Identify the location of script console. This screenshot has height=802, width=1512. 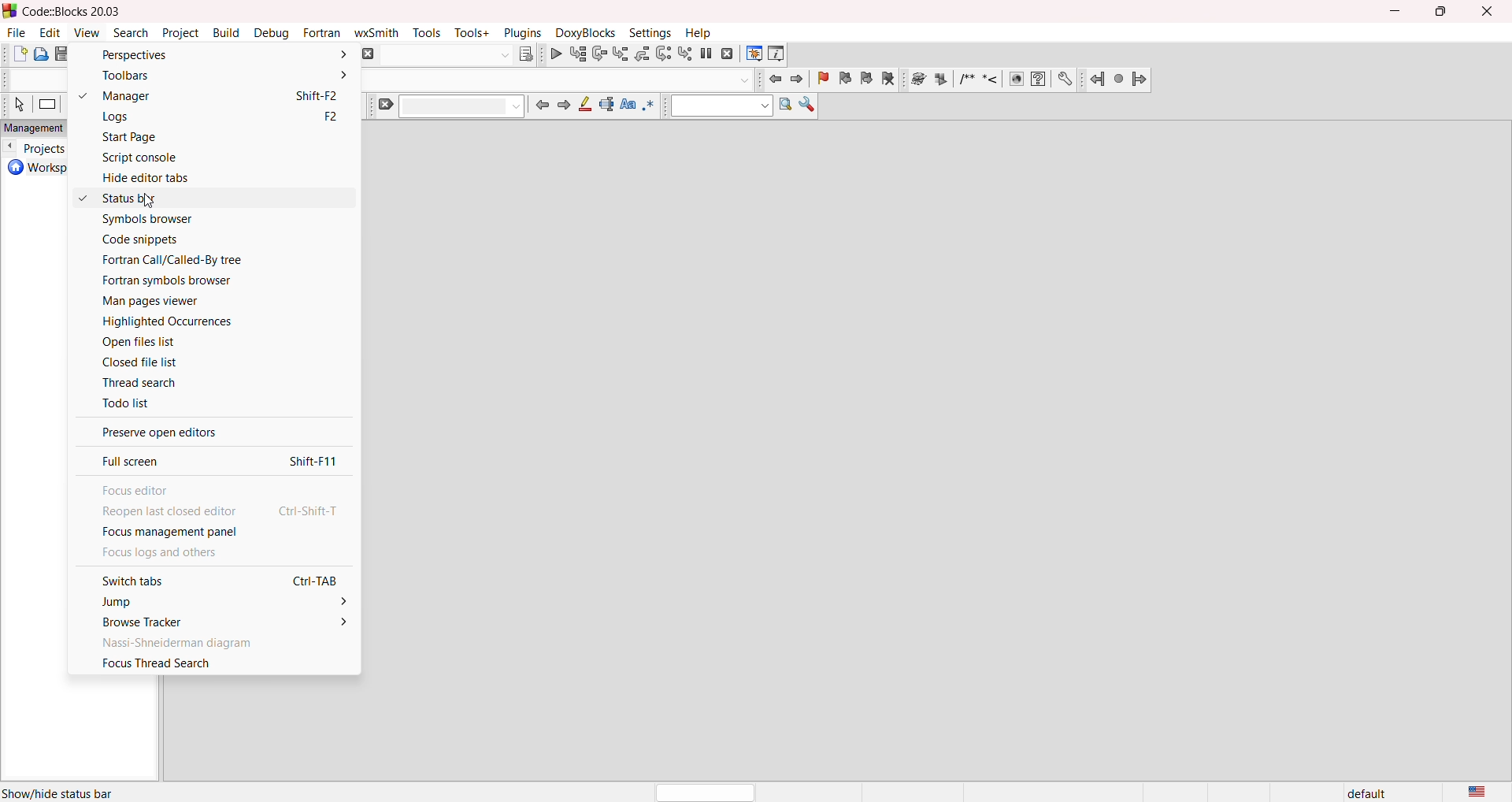
(213, 156).